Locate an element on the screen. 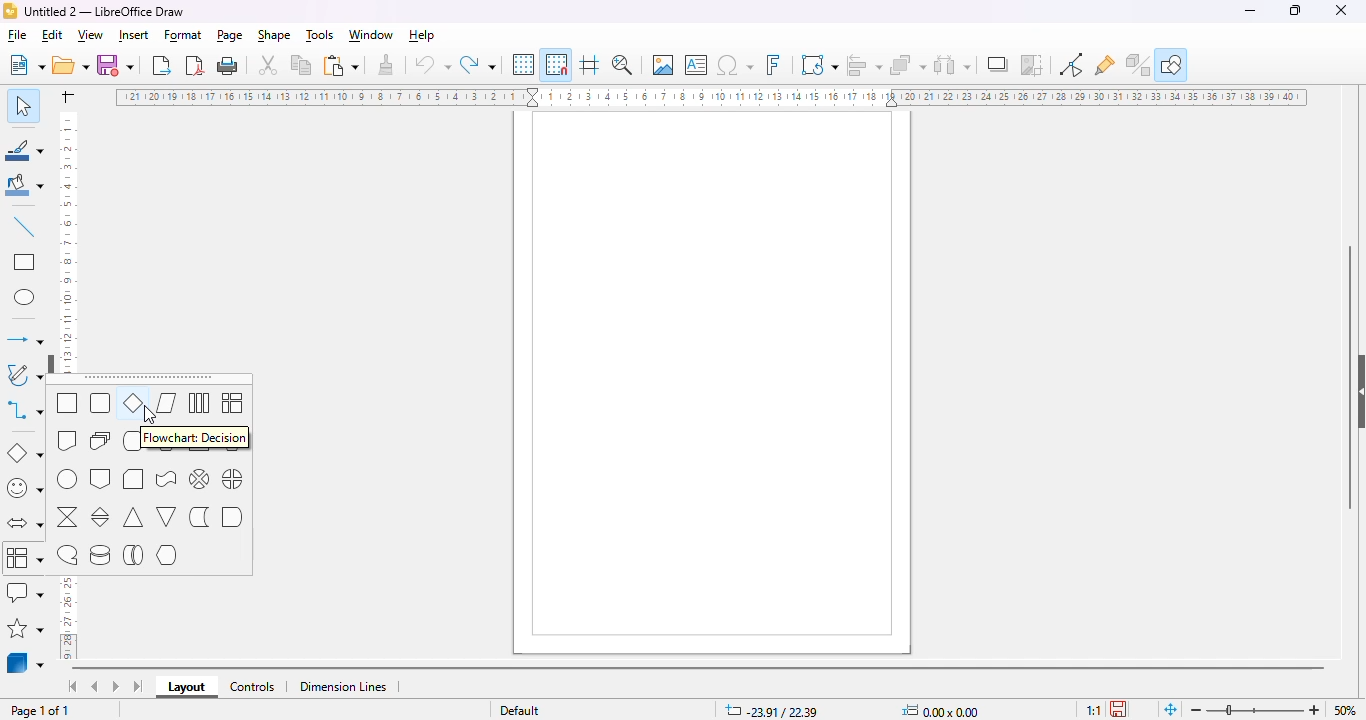 This screenshot has width=1366, height=720. flowchart: data is located at coordinates (167, 403).